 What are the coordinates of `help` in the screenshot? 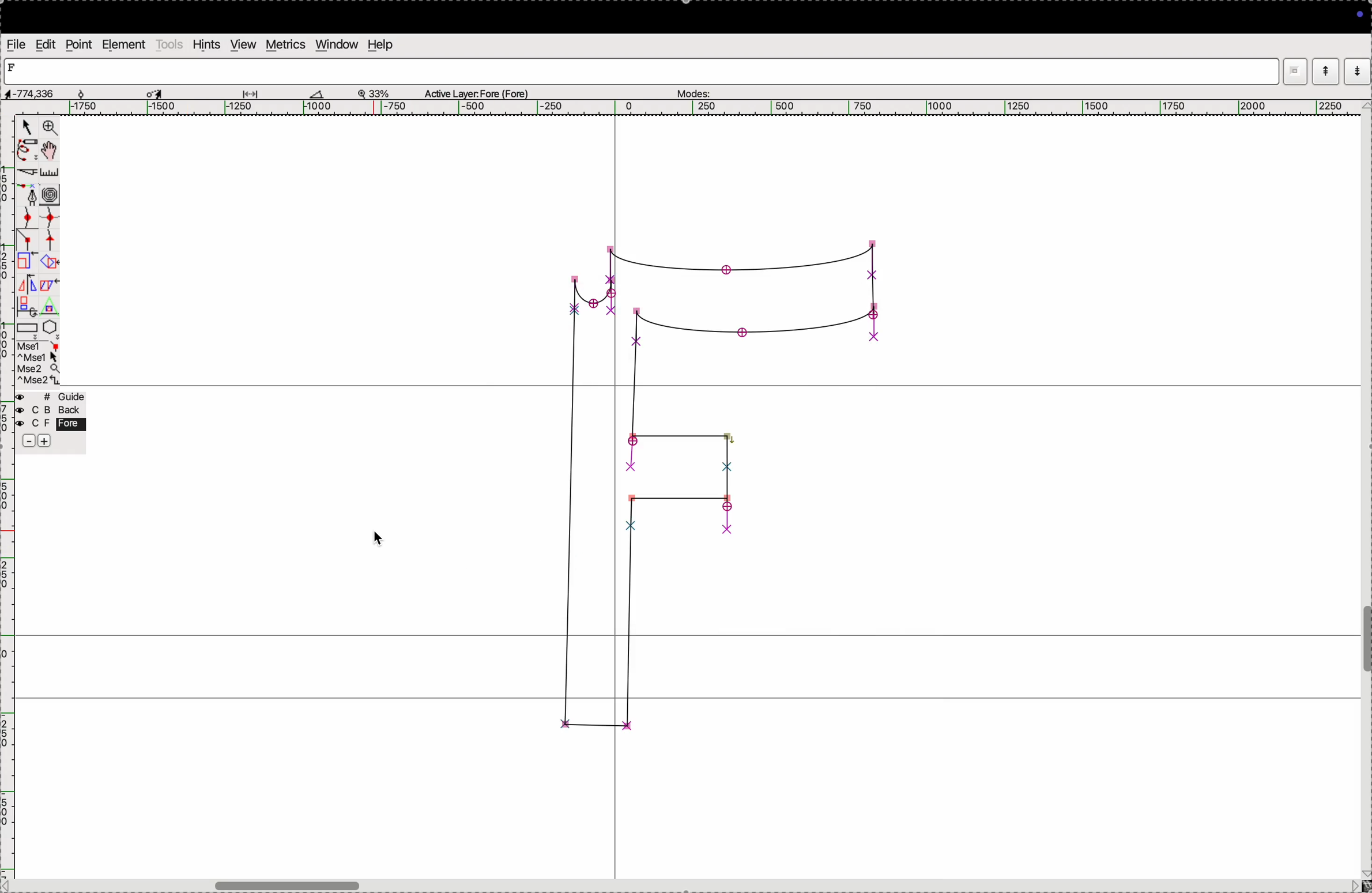 It's located at (379, 44).